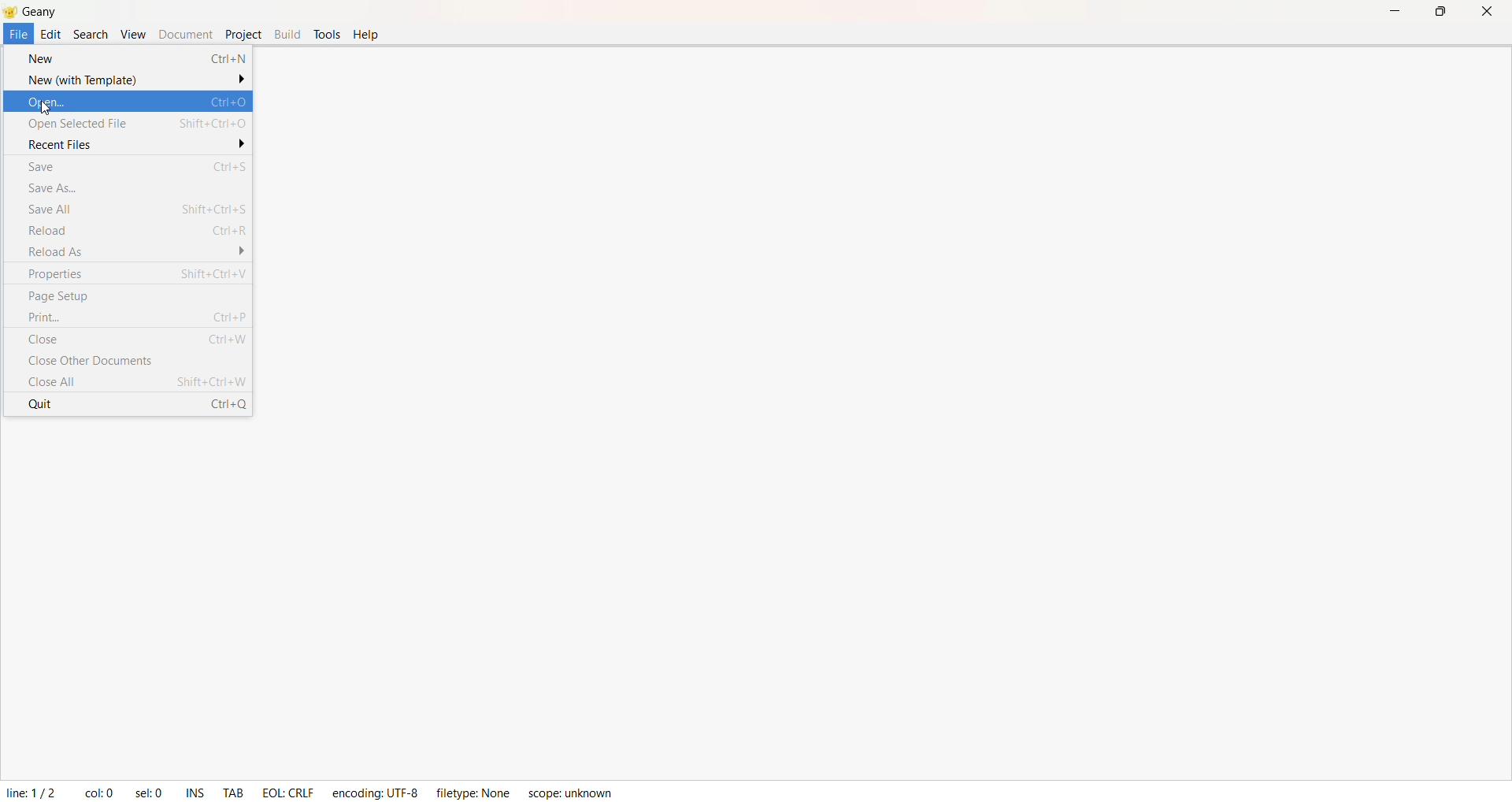  What do you see at coordinates (135, 273) in the screenshot?
I see `Poperties` at bounding box center [135, 273].